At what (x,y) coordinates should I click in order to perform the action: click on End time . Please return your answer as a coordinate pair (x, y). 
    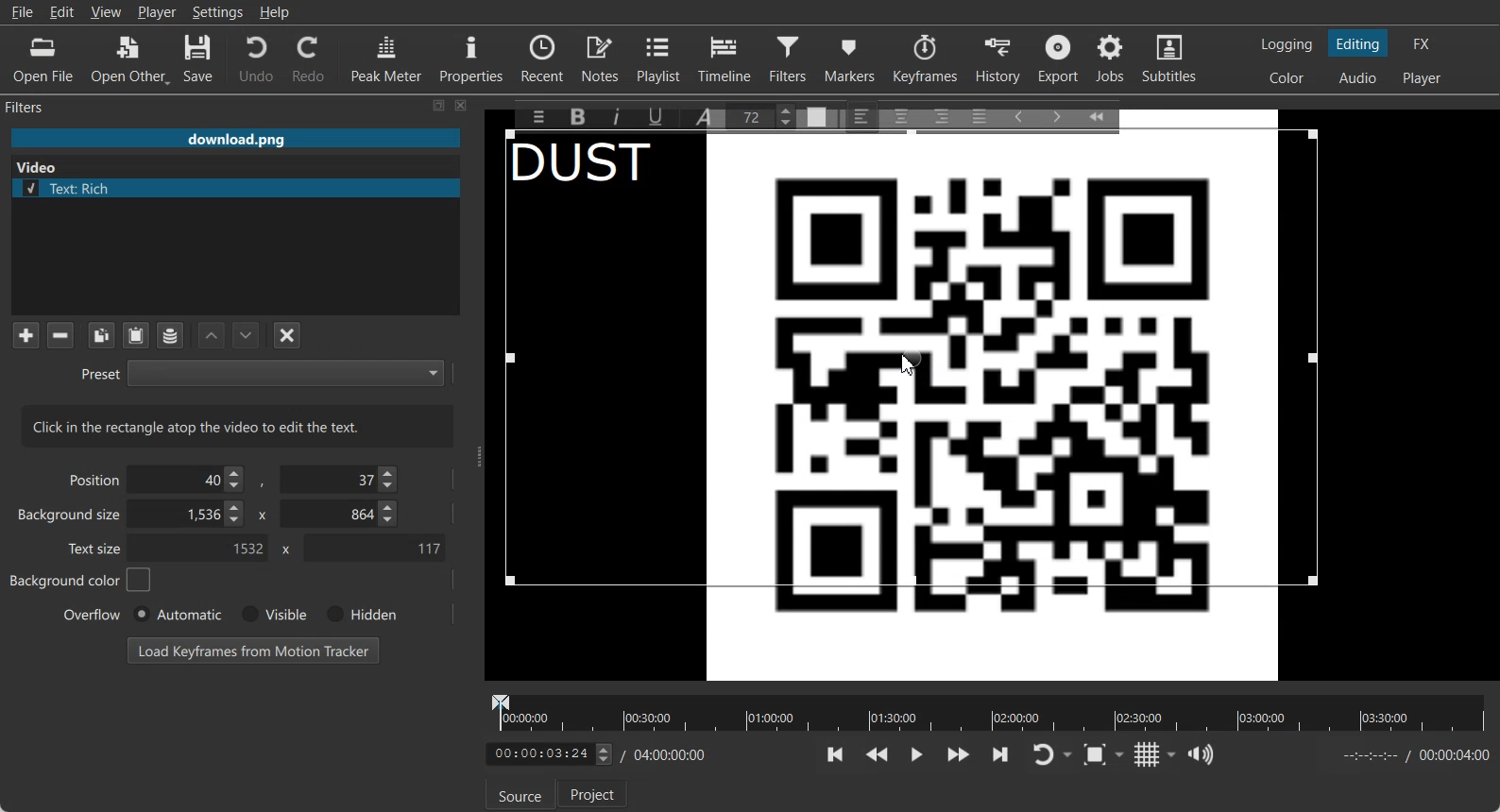
    Looking at the image, I should click on (1411, 755).